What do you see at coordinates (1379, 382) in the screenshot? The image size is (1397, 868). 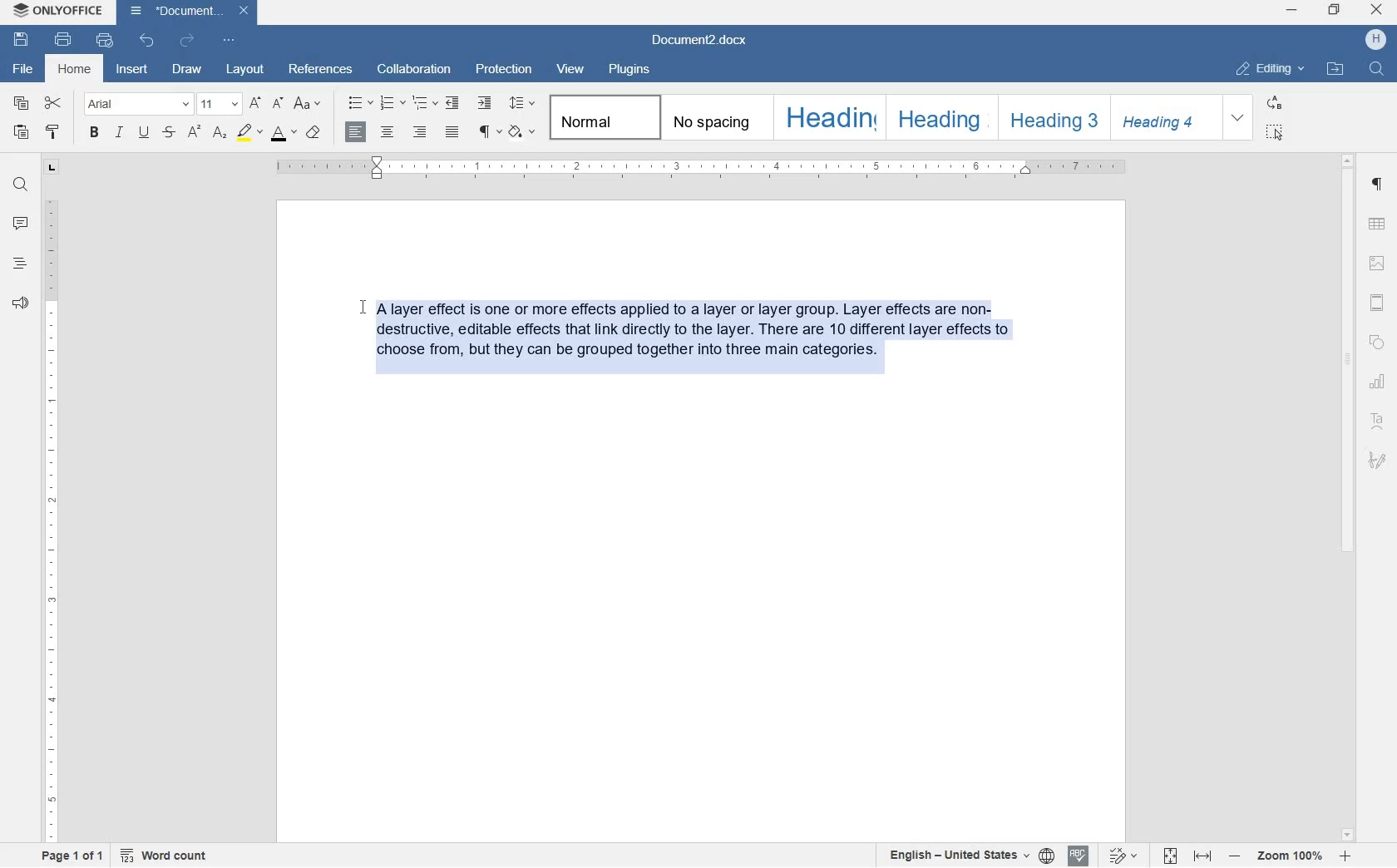 I see `chart` at bounding box center [1379, 382].